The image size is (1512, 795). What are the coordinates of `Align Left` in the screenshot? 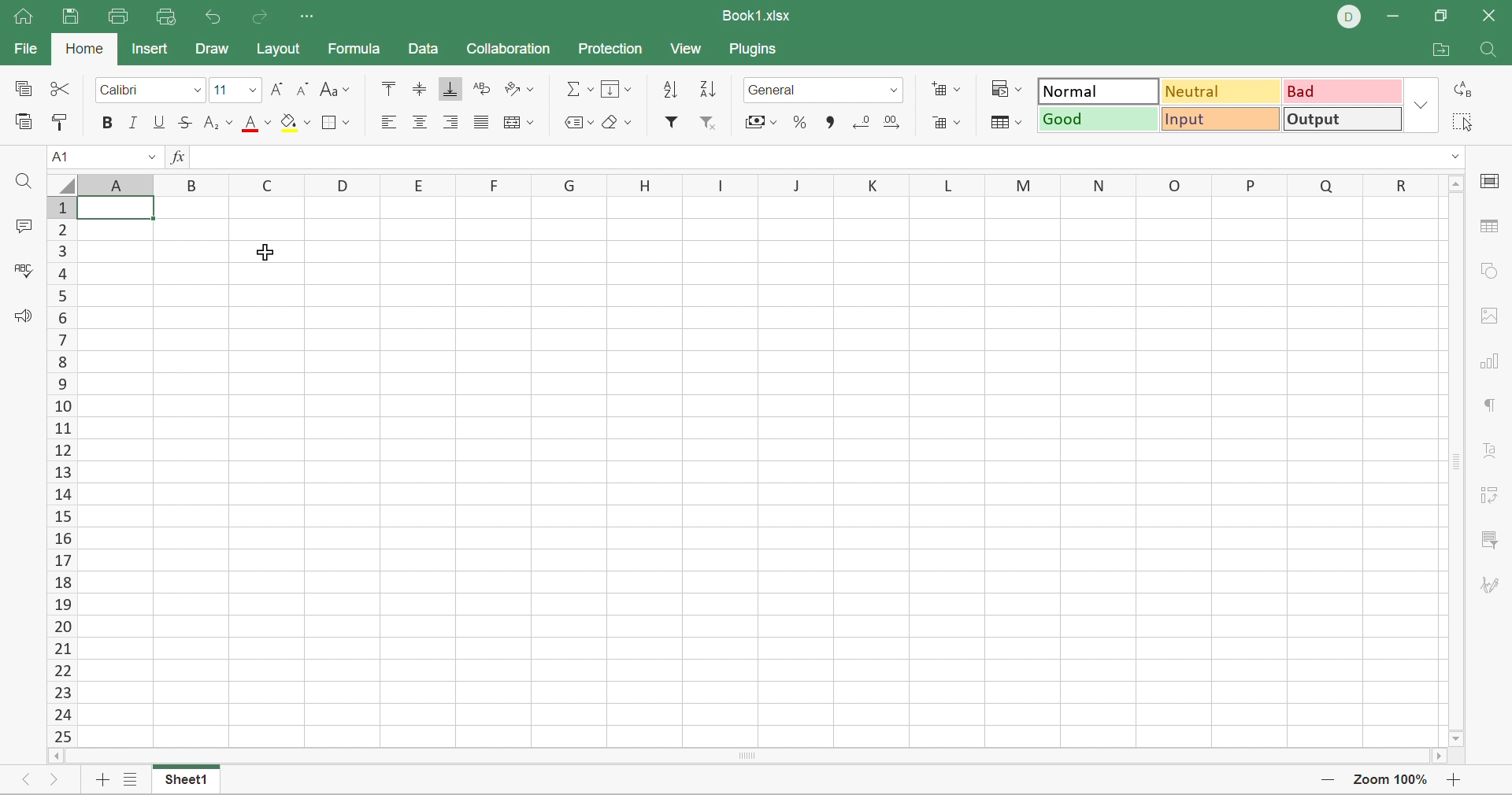 It's located at (385, 122).